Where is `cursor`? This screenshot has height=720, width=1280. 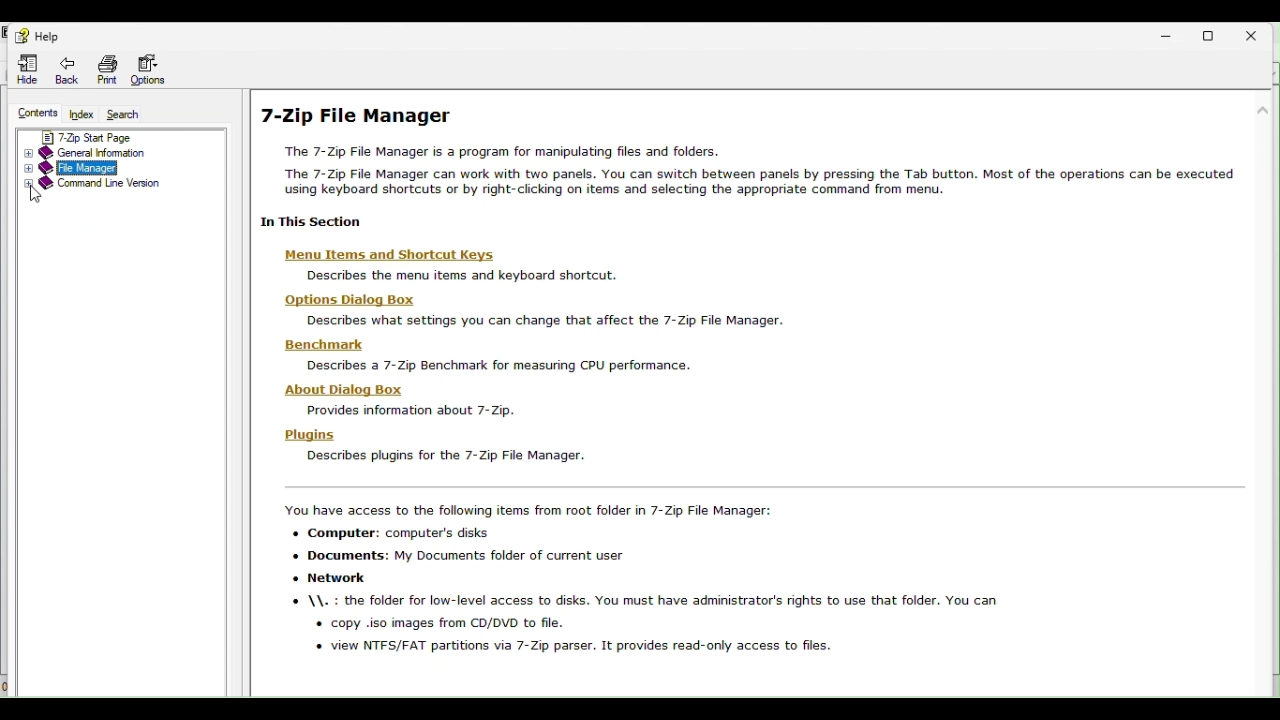 cursor is located at coordinates (37, 194).